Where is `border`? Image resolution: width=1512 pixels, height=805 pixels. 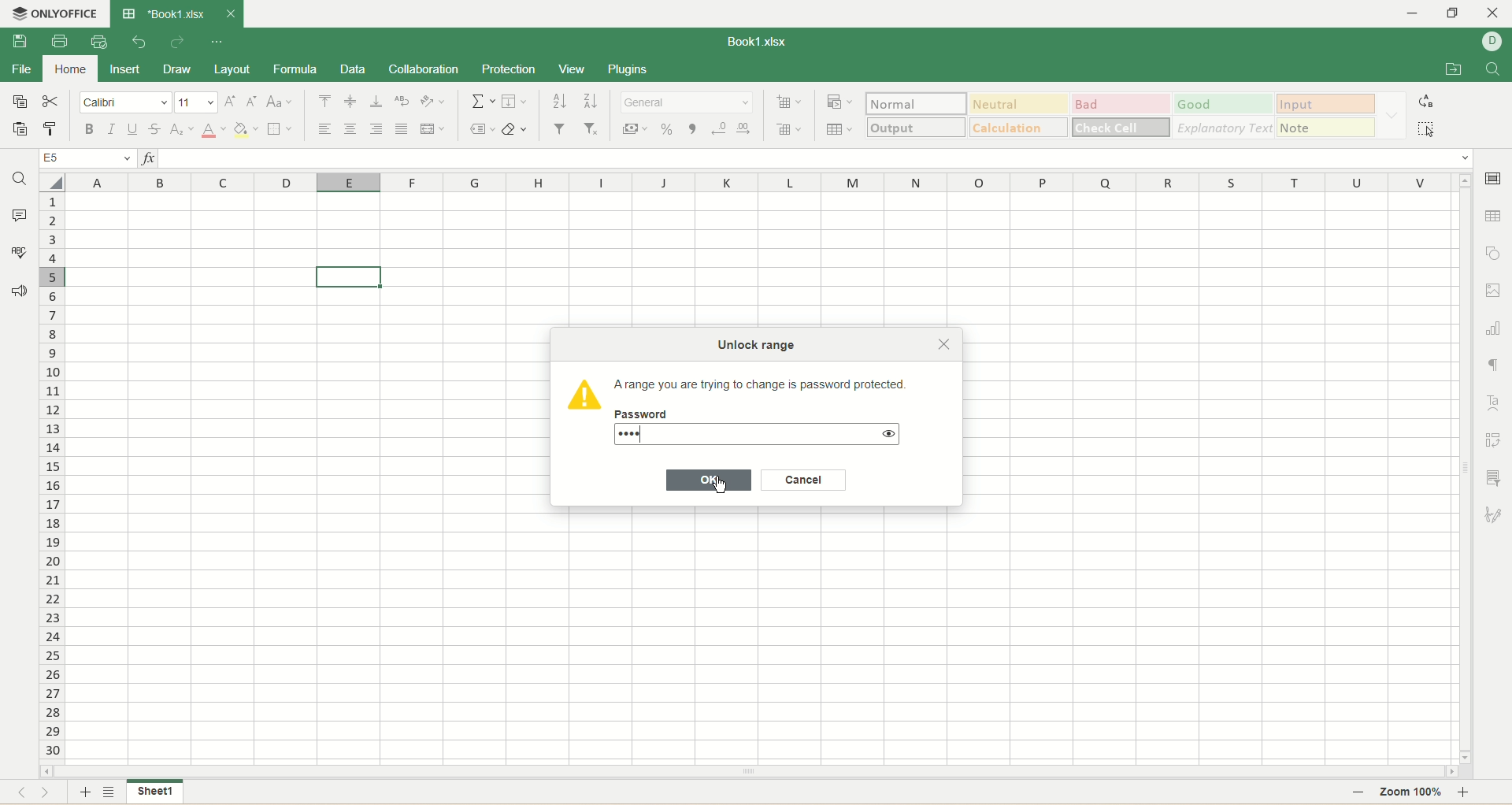
border is located at coordinates (280, 132).